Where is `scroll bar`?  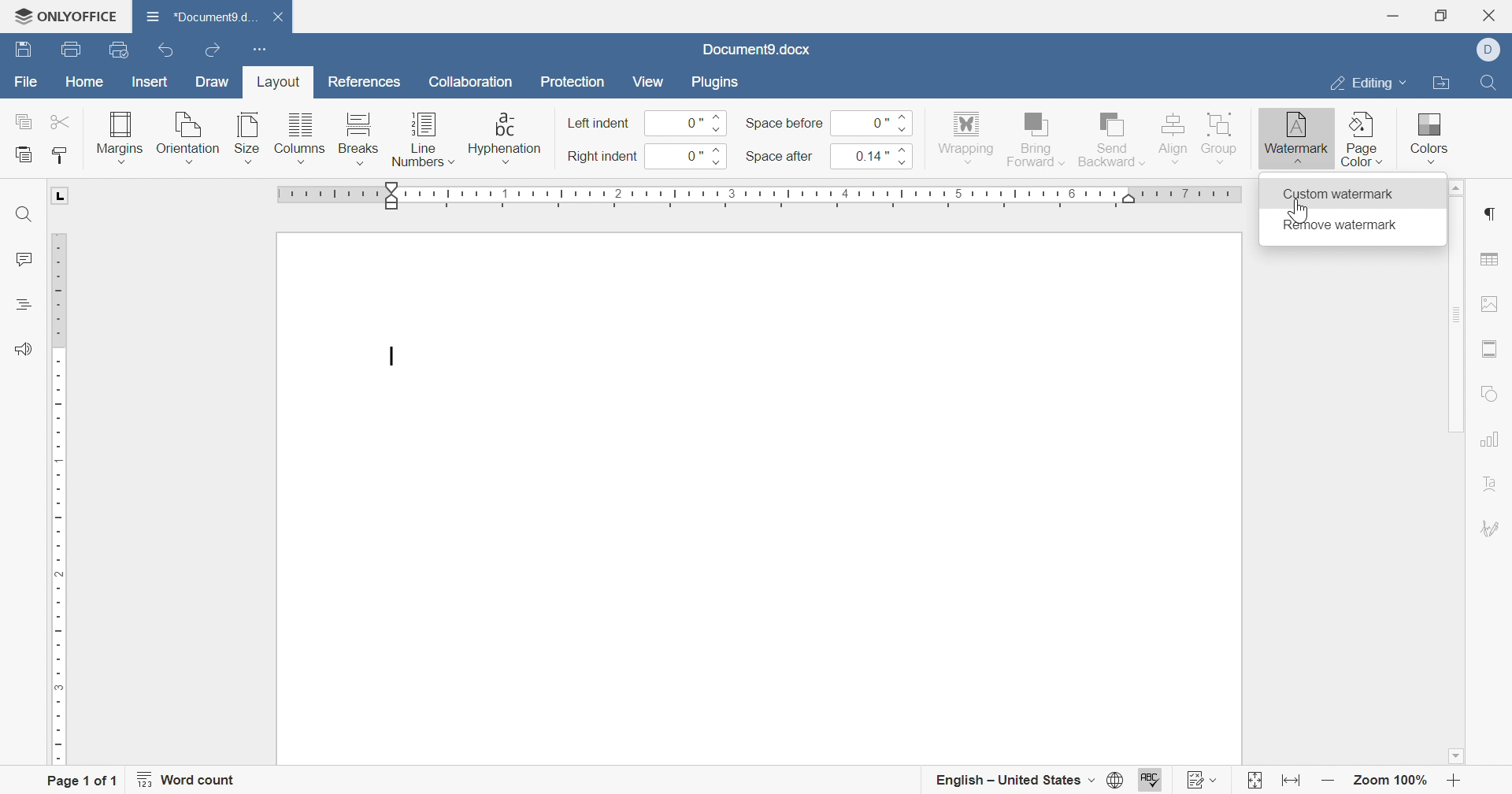
scroll bar is located at coordinates (1454, 314).